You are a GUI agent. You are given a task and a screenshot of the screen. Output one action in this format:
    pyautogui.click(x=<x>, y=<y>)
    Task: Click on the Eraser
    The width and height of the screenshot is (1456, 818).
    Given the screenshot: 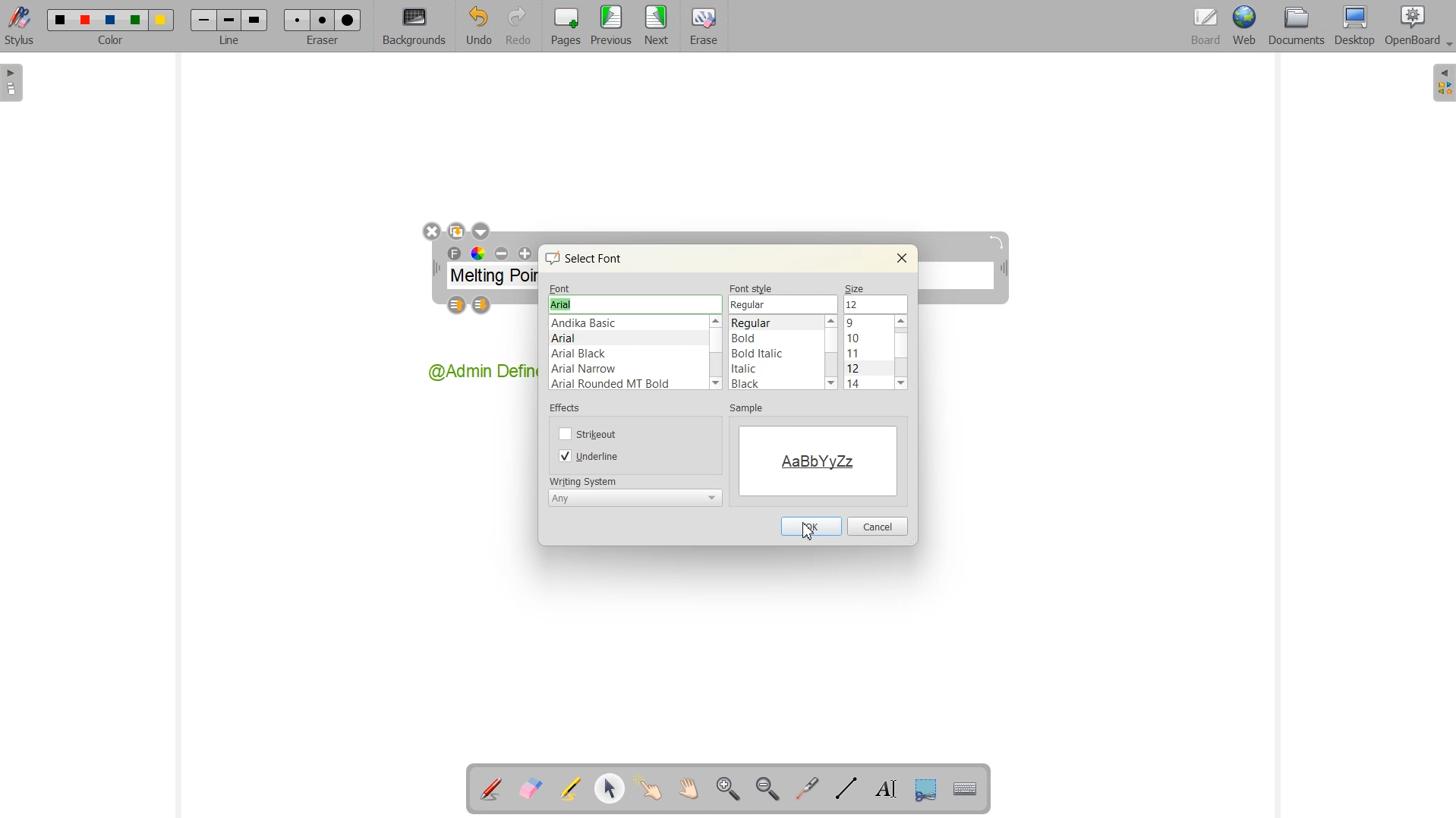 What is the action you would take?
    pyautogui.click(x=320, y=26)
    